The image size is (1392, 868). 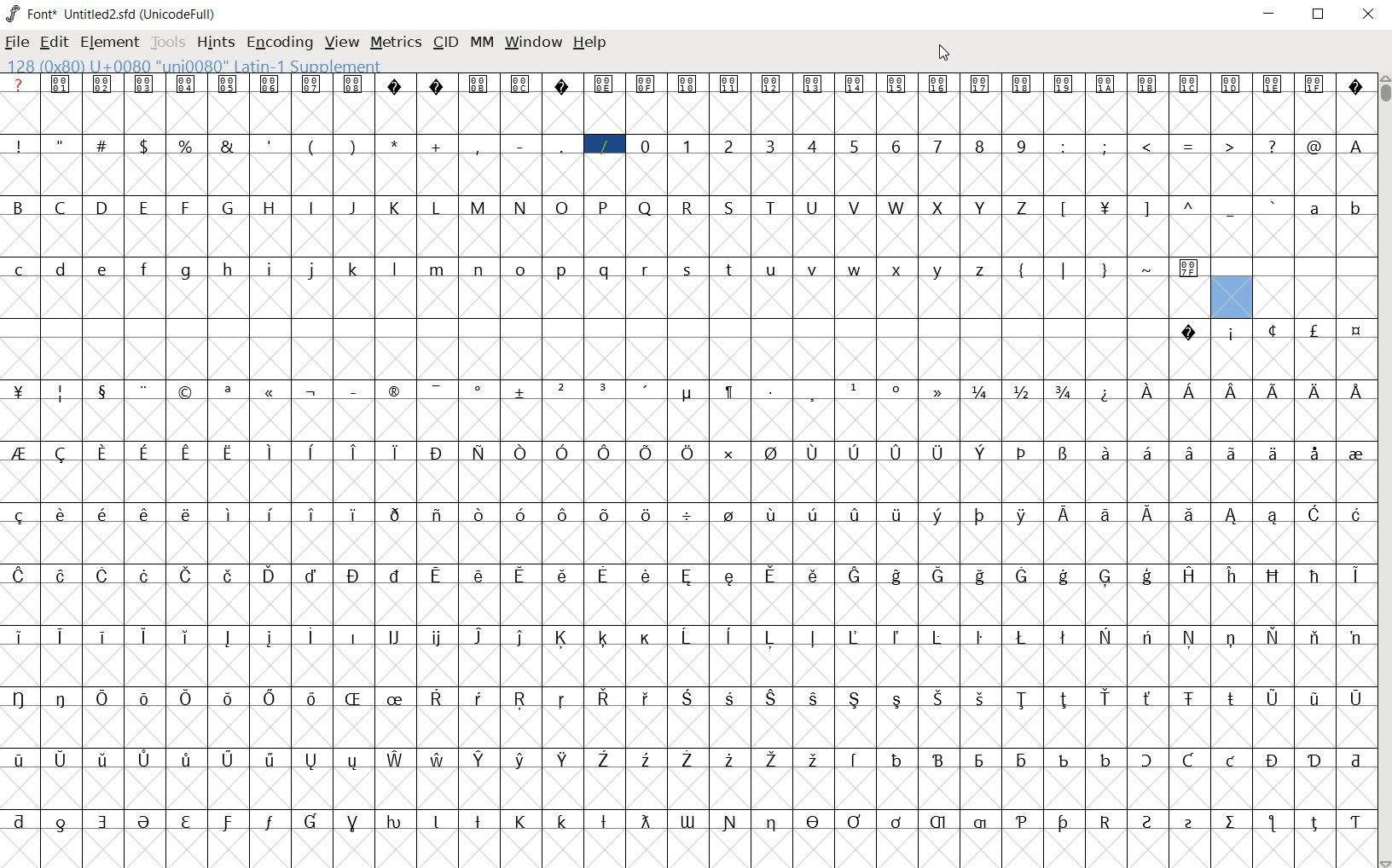 What do you see at coordinates (478, 392) in the screenshot?
I see `glyph` at bounding box center [478, 392].